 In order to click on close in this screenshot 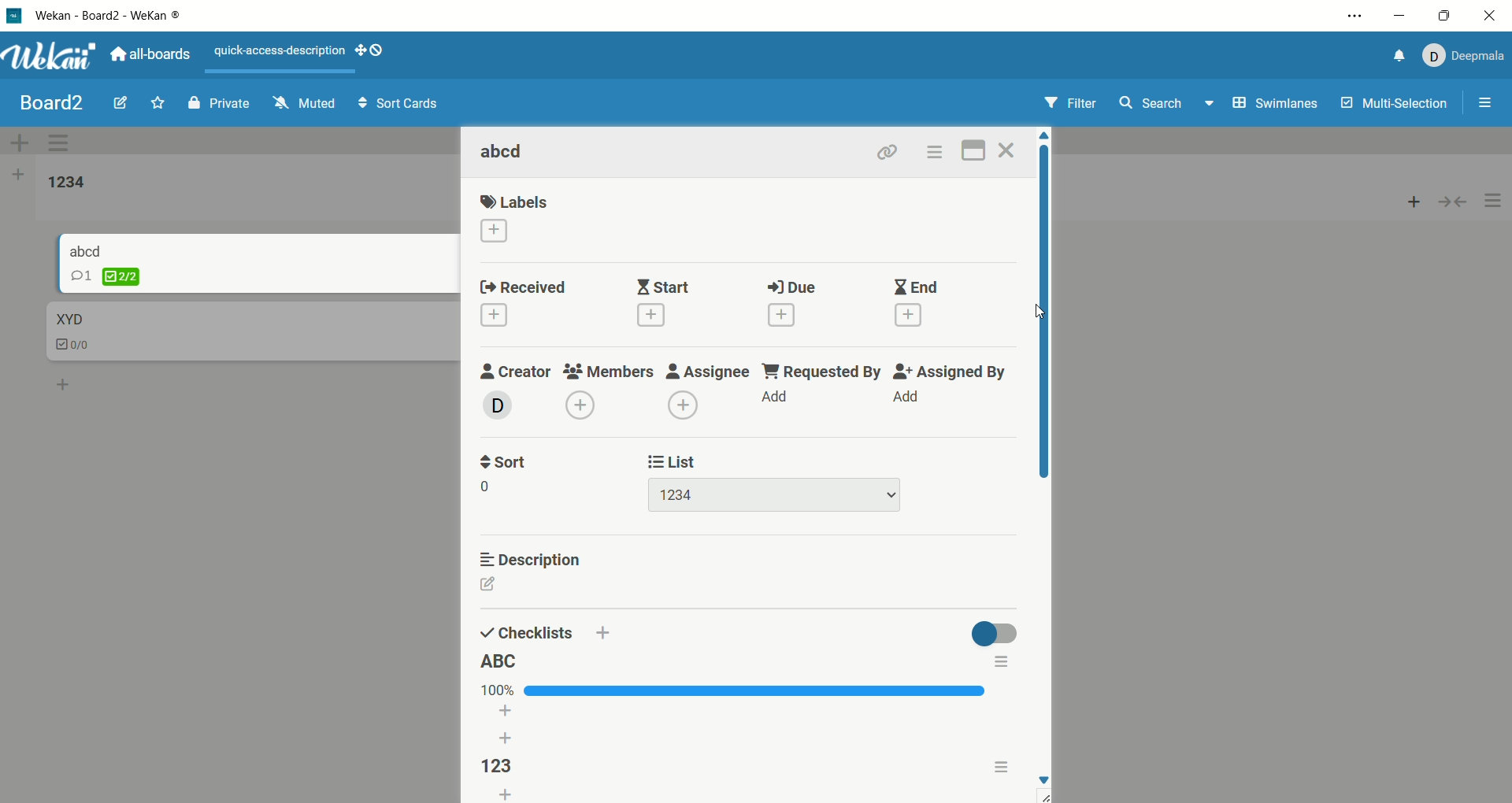, I will do `click(1010, 150)`.